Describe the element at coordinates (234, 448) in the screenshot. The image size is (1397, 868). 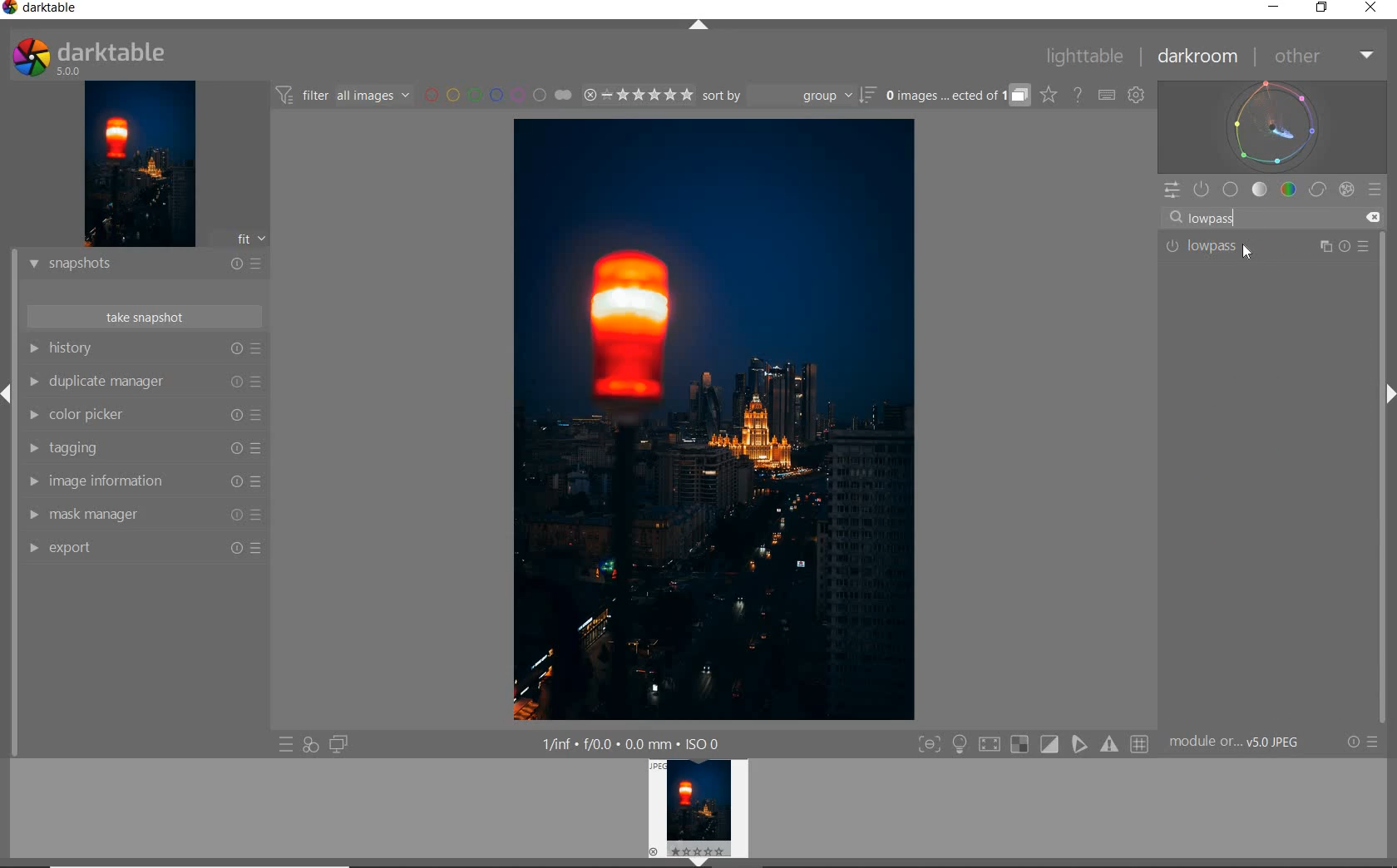
I see `` at that location.